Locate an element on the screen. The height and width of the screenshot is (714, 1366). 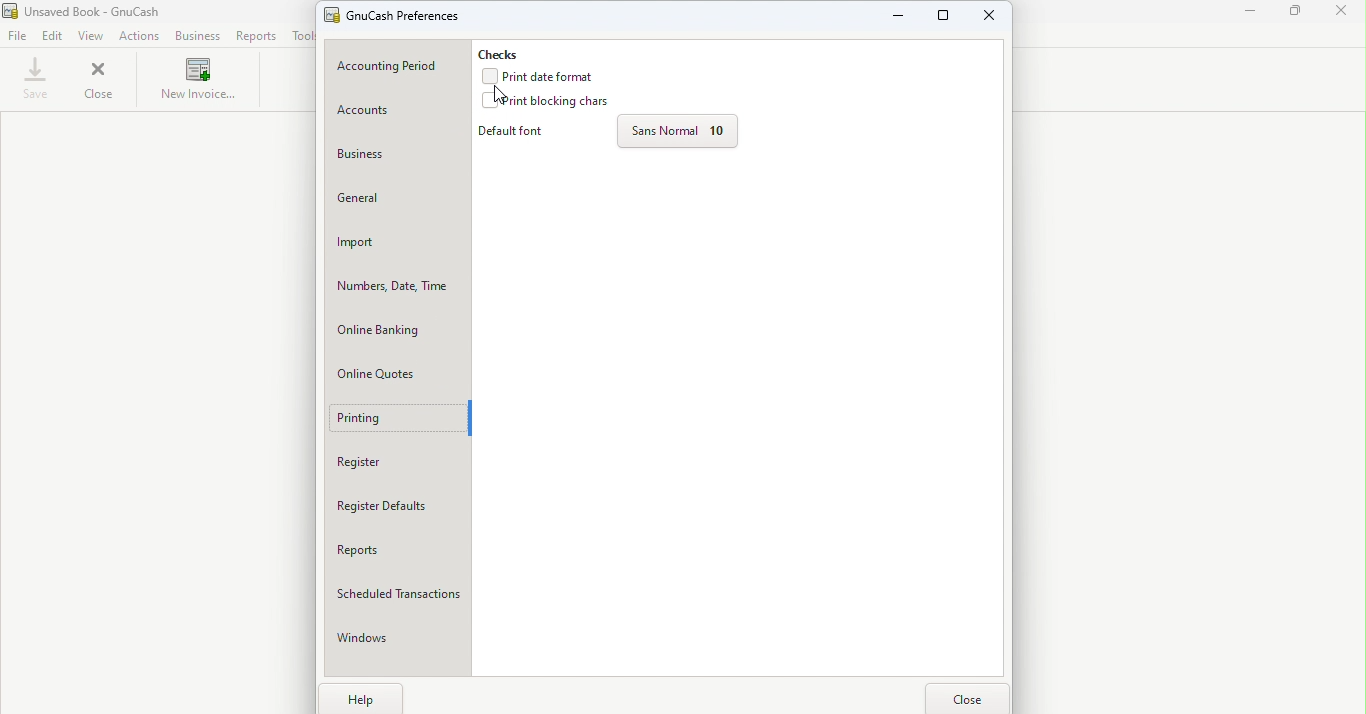
Accounting period is located at coordinates (396, 66).